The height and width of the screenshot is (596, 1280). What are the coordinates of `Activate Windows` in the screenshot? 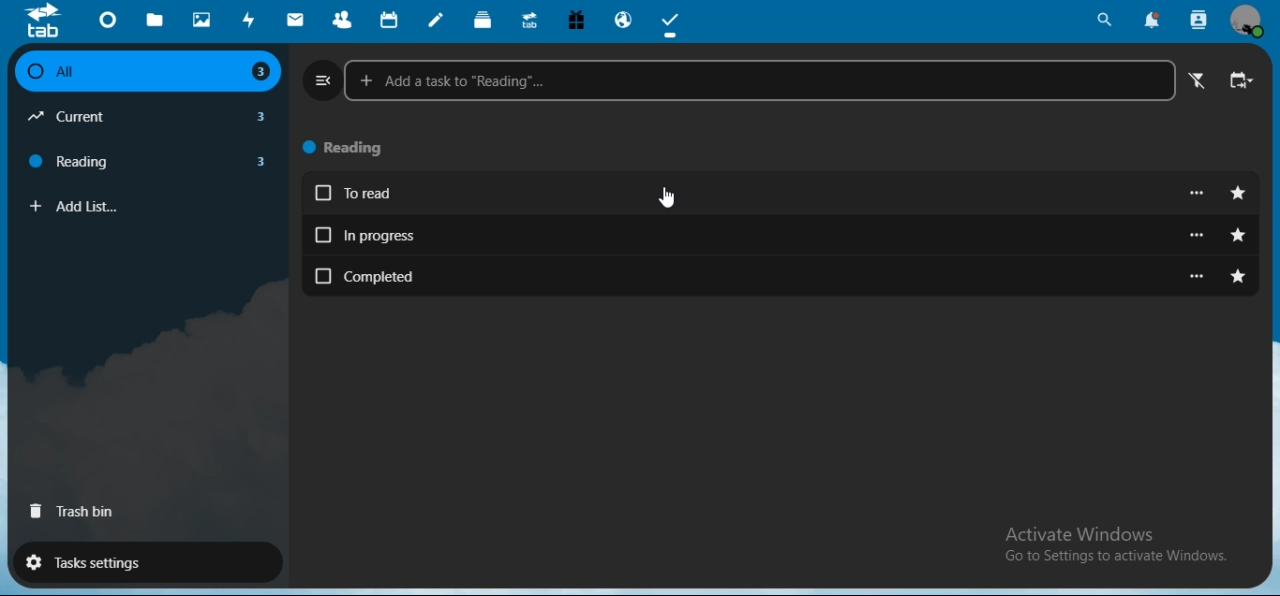 It's located at (1083, 535).